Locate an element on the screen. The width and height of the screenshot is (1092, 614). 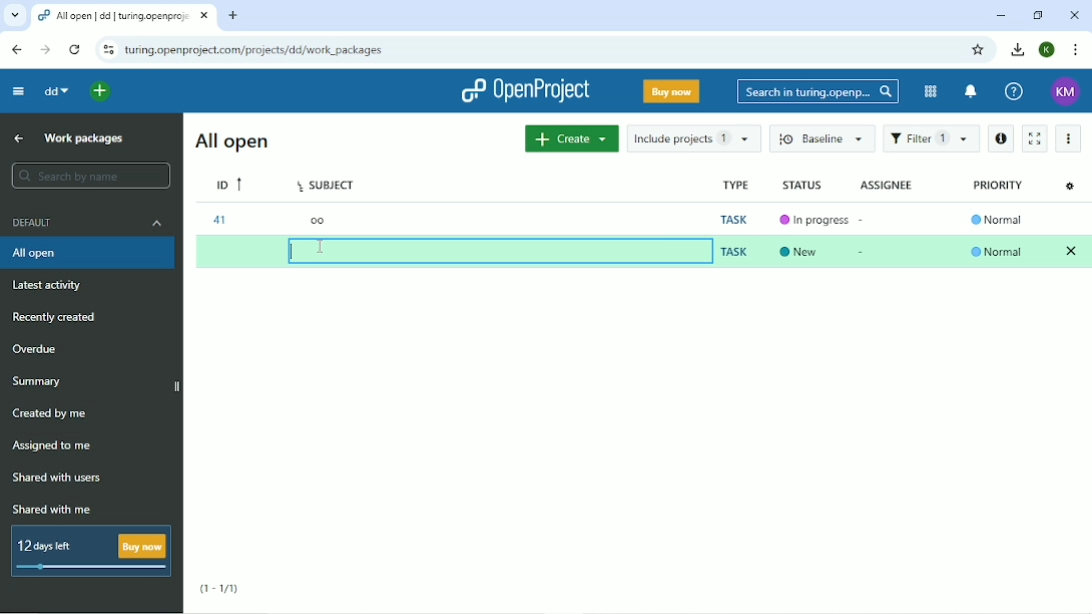
Search is located at coordinates (818, 91).